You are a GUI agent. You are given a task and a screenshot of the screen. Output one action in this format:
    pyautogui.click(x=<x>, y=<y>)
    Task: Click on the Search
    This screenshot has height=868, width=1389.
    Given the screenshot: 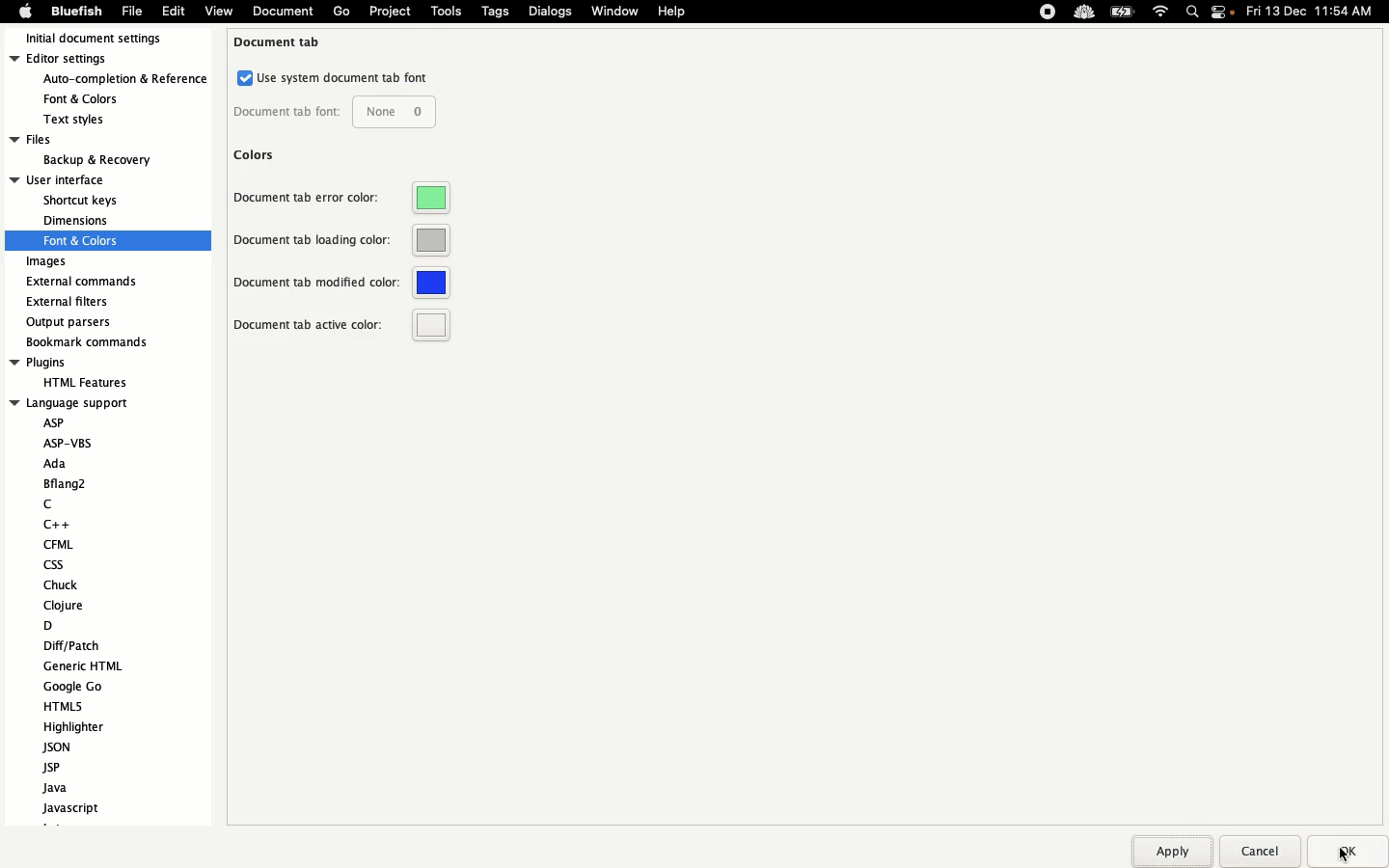 What is the action you would take?
    pyautogui.click(x=1193, y=14)
    